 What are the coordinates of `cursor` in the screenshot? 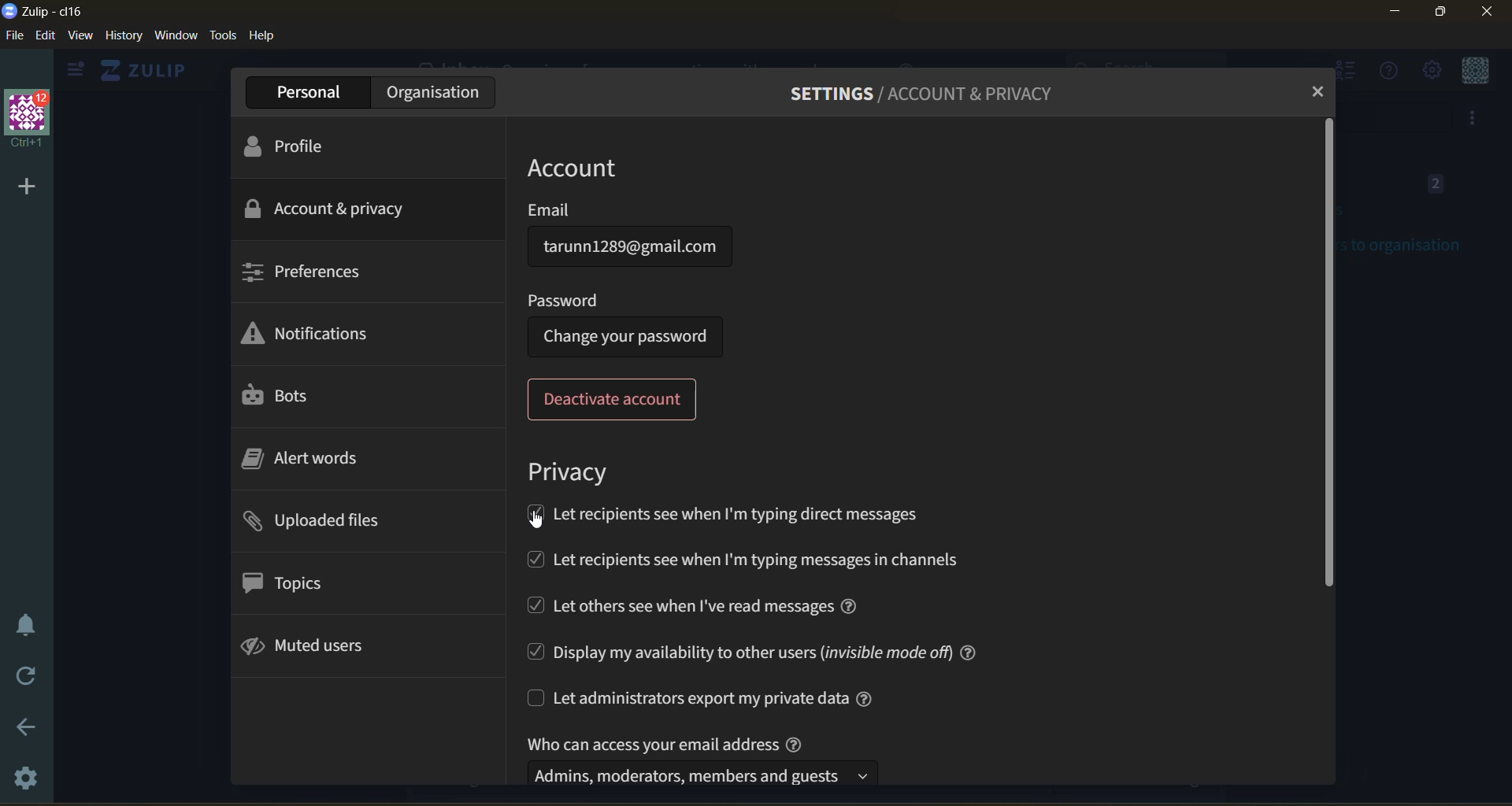 It's located at (542, 526).